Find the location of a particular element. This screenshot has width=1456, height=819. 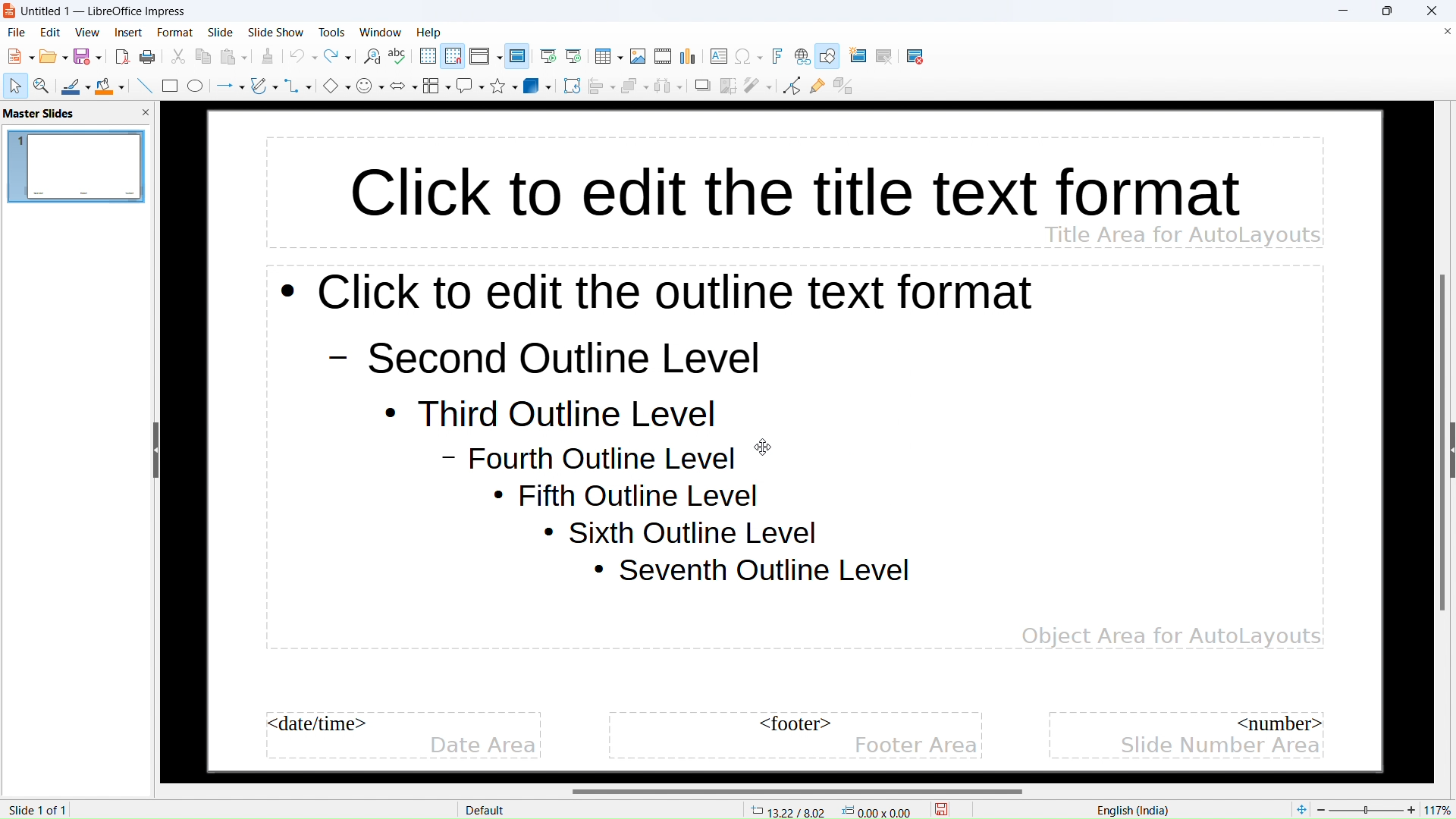

insert line is located at coordinates (144, 85).